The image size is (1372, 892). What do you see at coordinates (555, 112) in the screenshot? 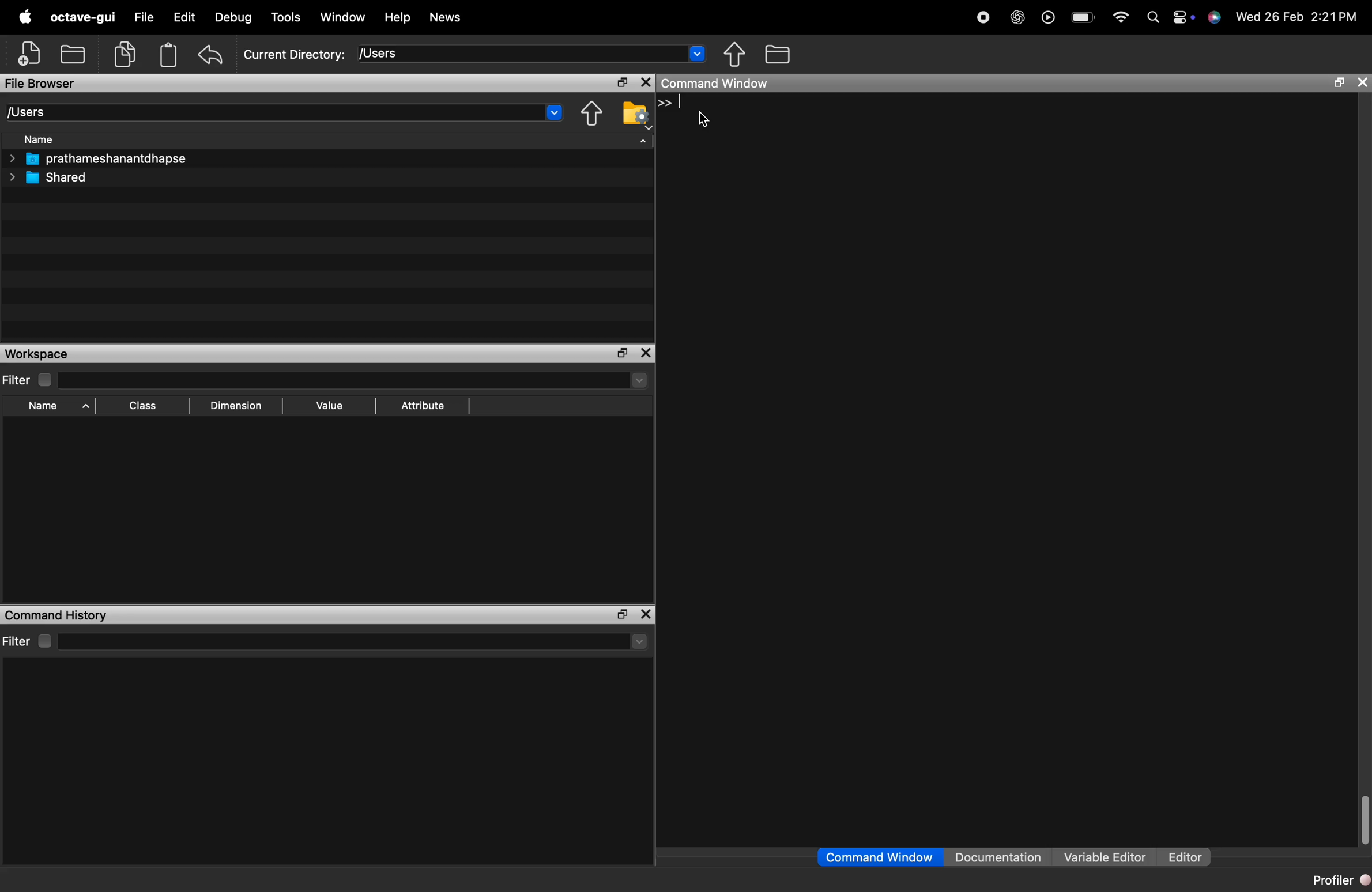
I see `dropdown` at bounding box center [555, 112].